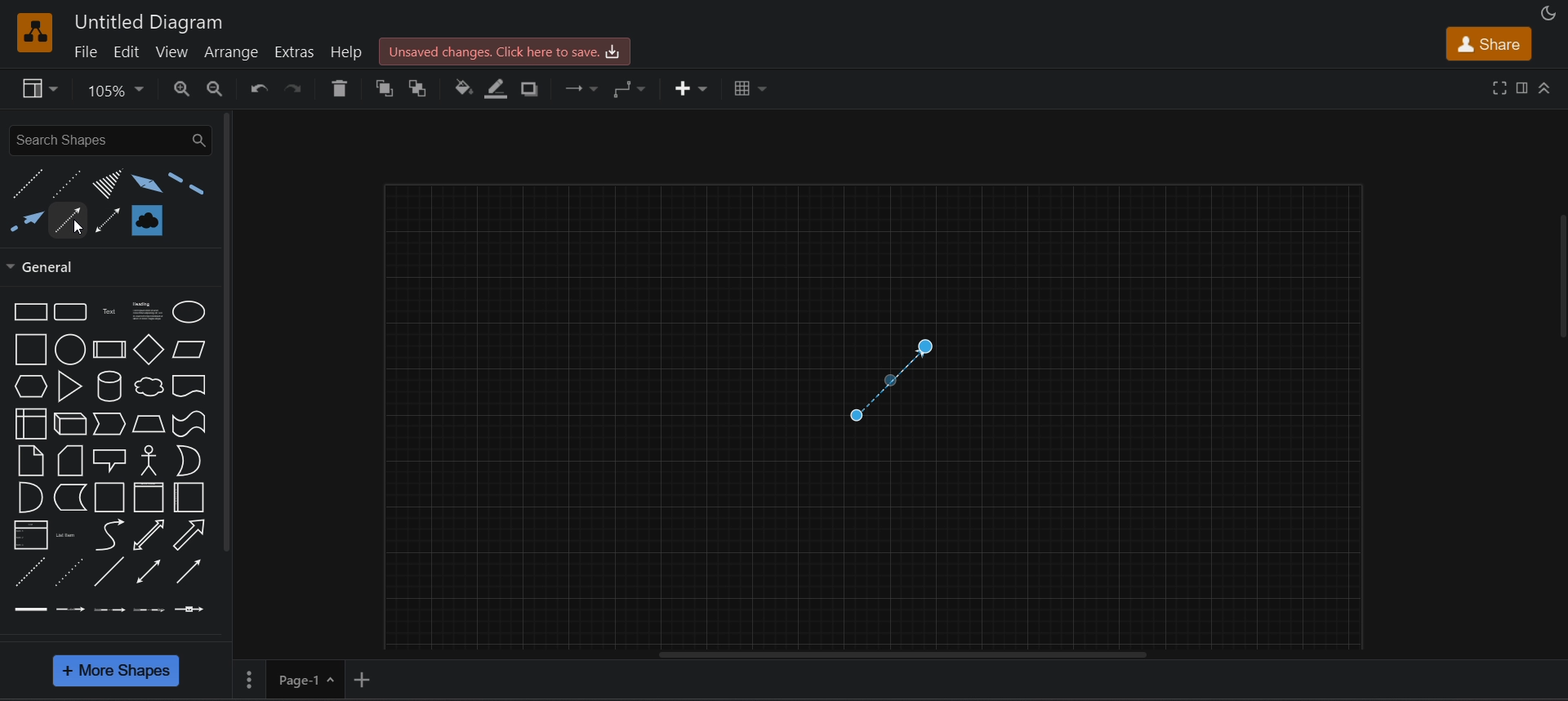  I want to click on dashed arrow head, so click(25, 225).